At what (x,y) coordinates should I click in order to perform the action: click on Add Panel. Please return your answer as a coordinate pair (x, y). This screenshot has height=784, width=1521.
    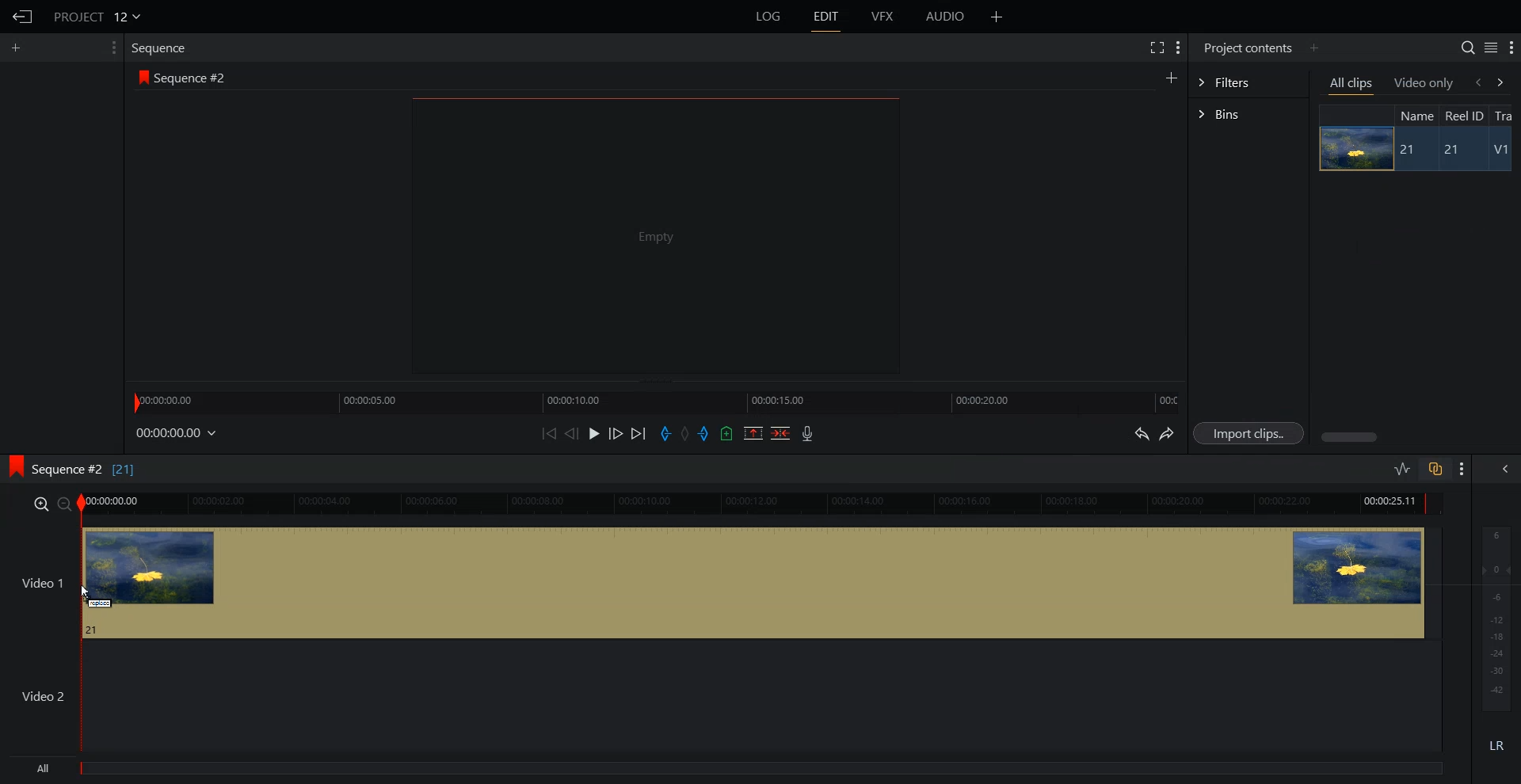
    Looking at the image, I should click on (1171, 76).